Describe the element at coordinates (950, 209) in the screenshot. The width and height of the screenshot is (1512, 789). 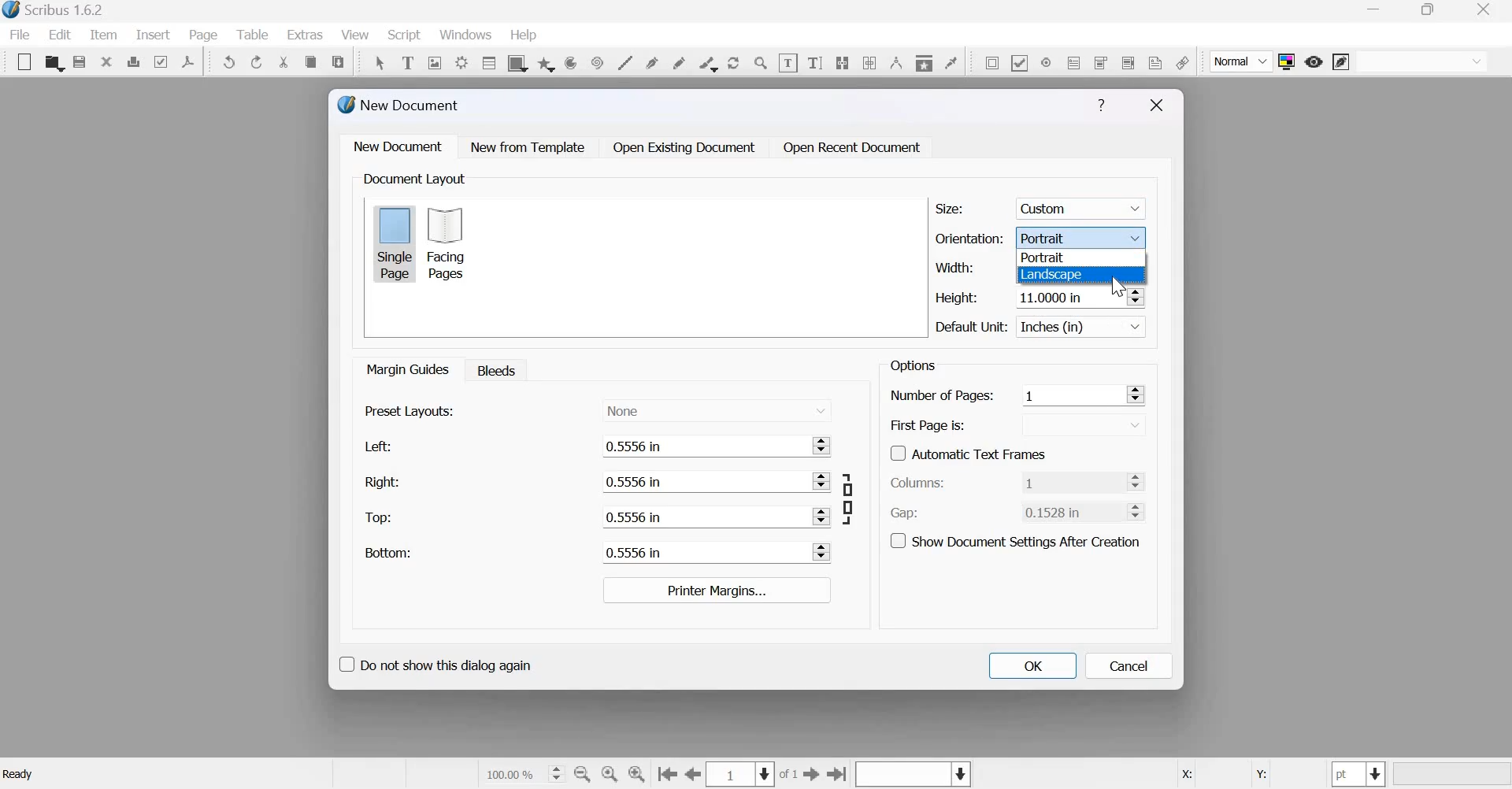
I see `Size: ` at that location.